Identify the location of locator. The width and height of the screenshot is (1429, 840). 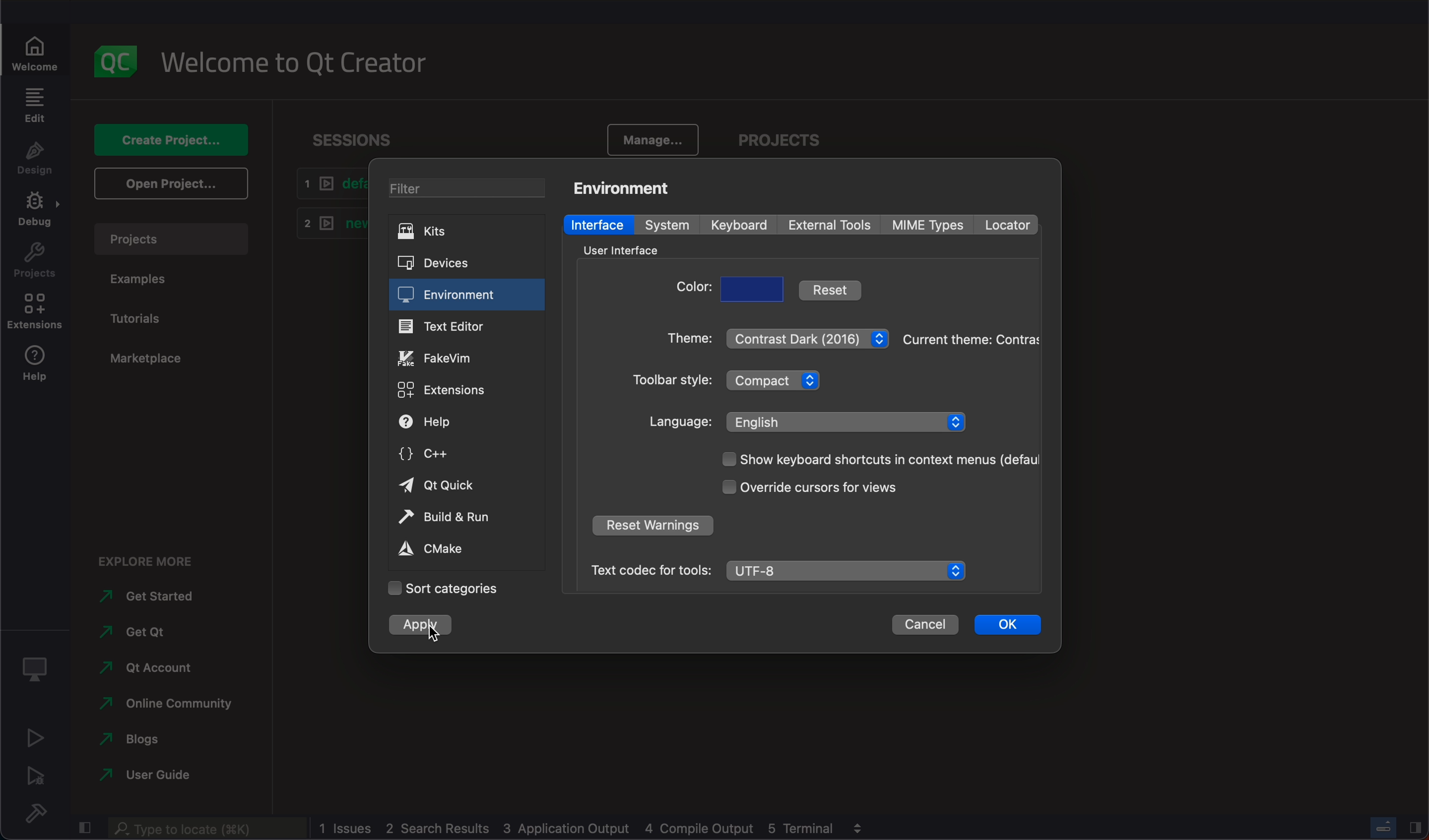
(1009, 224).